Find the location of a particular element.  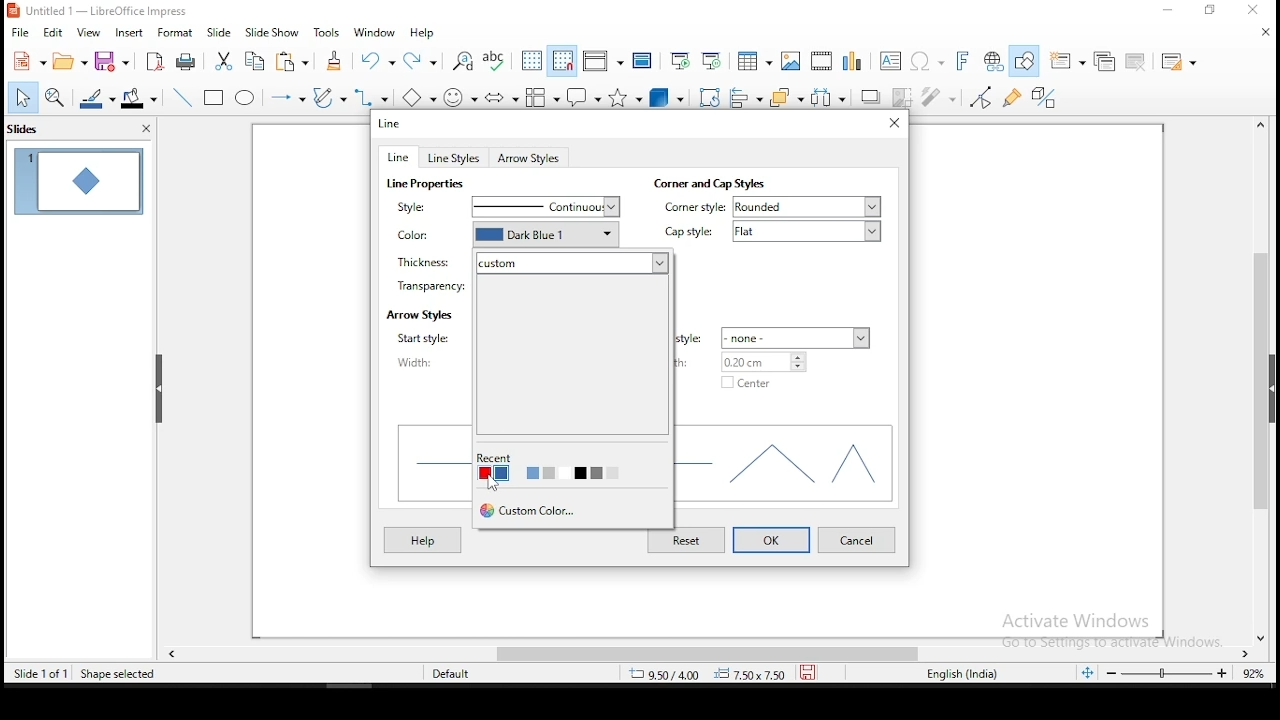

insert audio or video is located at coordinates (825, 59).